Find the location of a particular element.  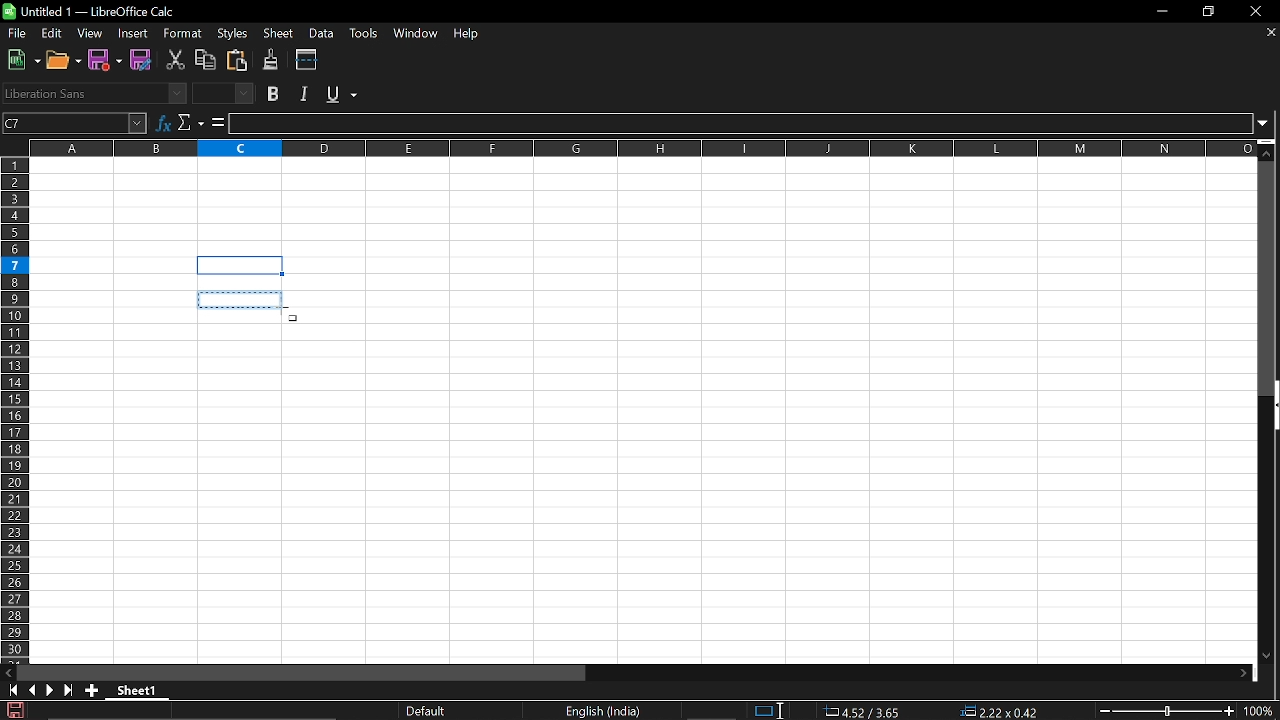

Italic is located at coordinates (307, 94).